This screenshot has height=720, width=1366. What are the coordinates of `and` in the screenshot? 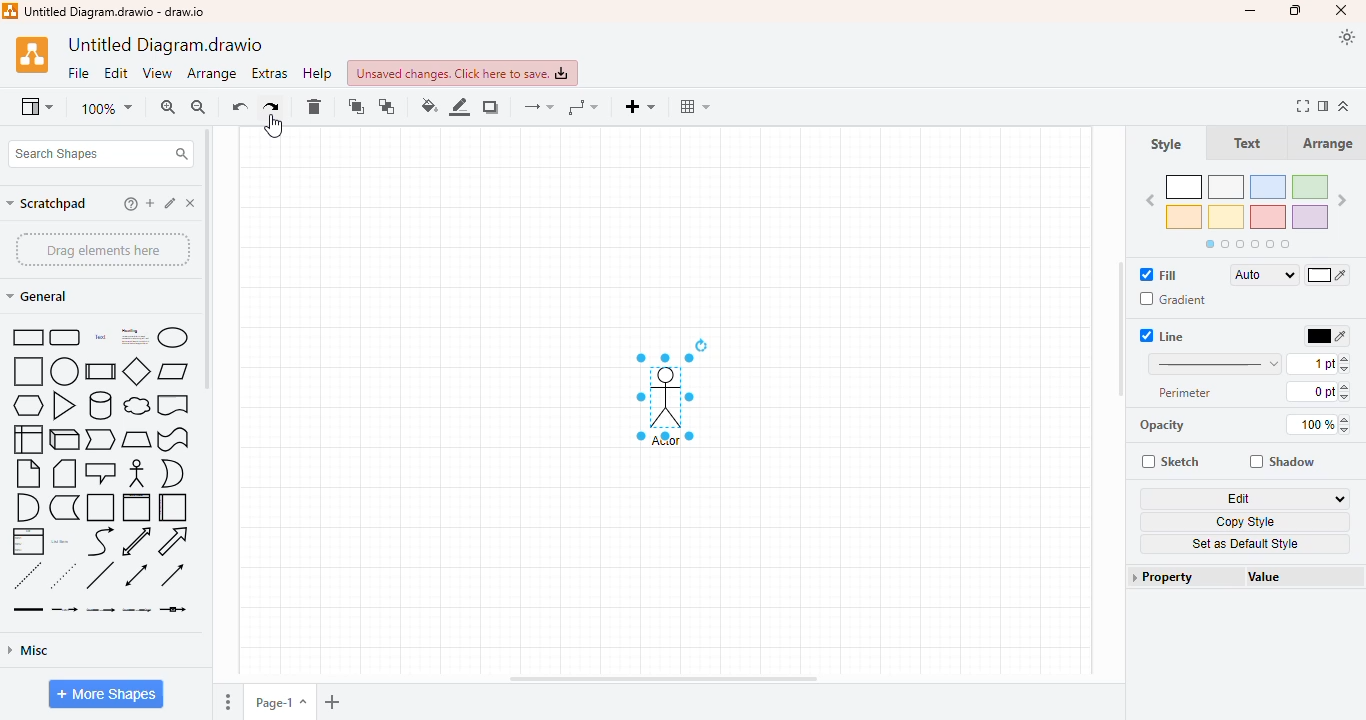 It's located at (26, 508).